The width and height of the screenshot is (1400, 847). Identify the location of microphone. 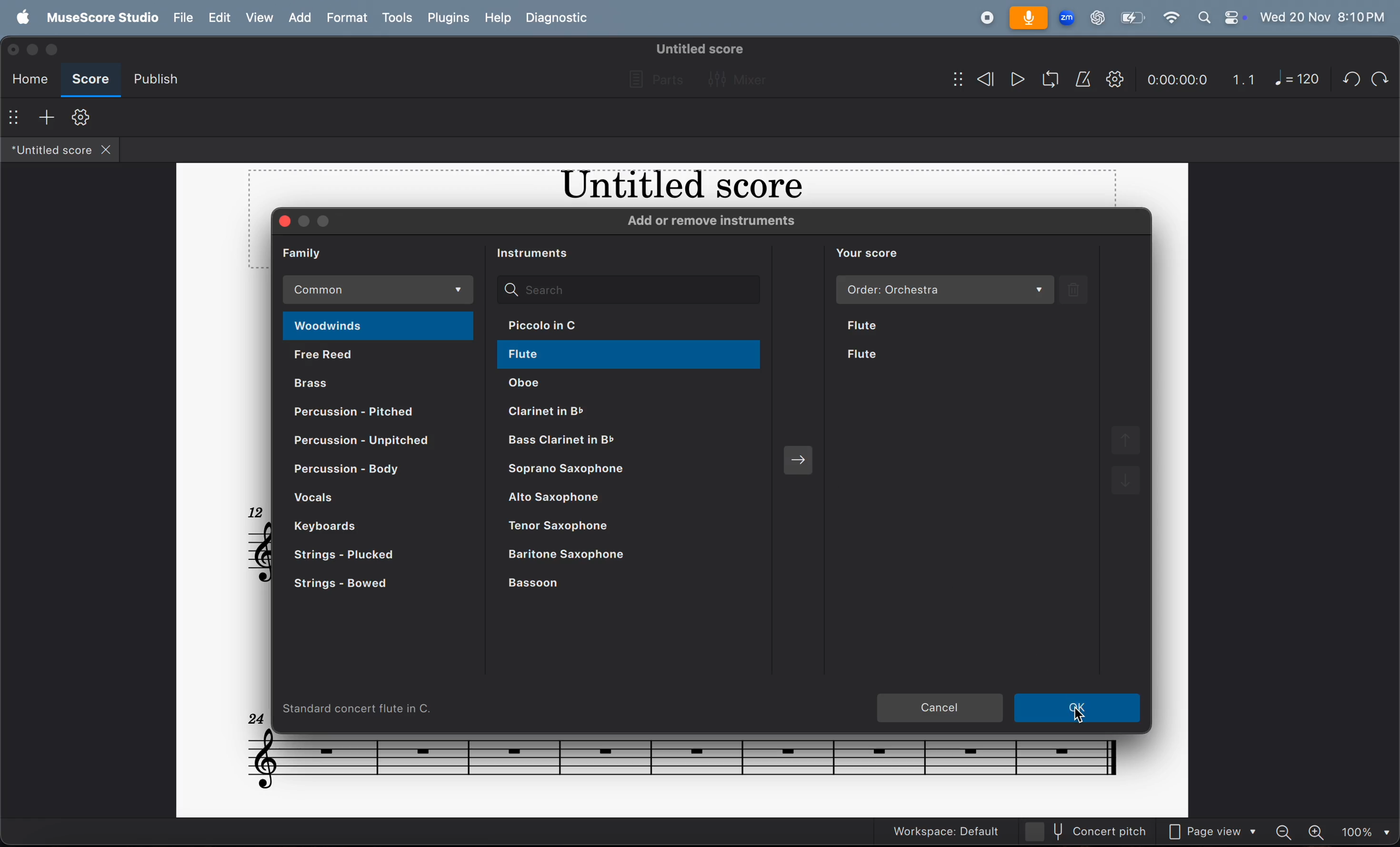
(1028, 19).